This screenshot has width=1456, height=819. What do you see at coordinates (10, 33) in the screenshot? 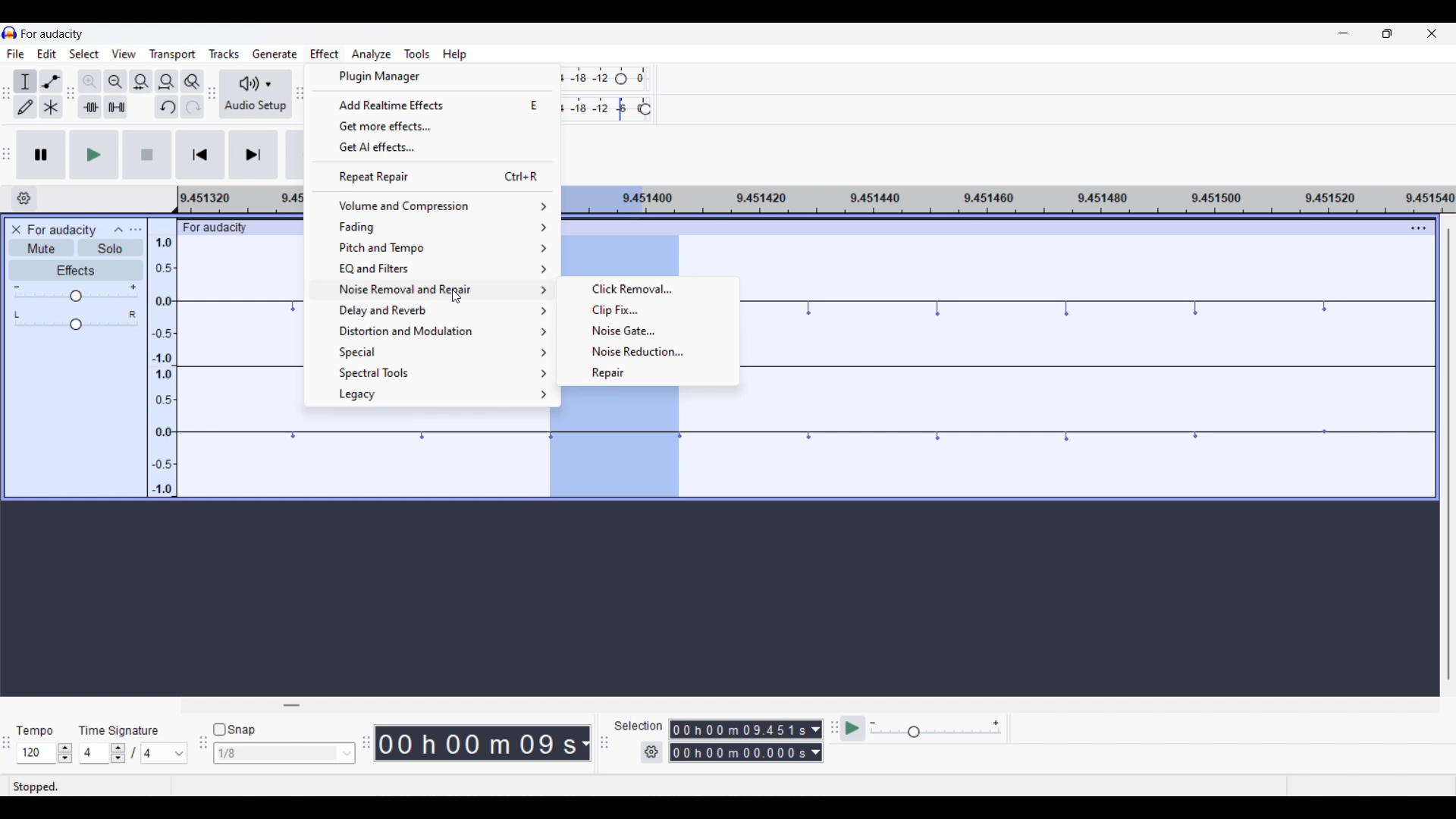
I see `Software logo` at bounding box center [10, 33].